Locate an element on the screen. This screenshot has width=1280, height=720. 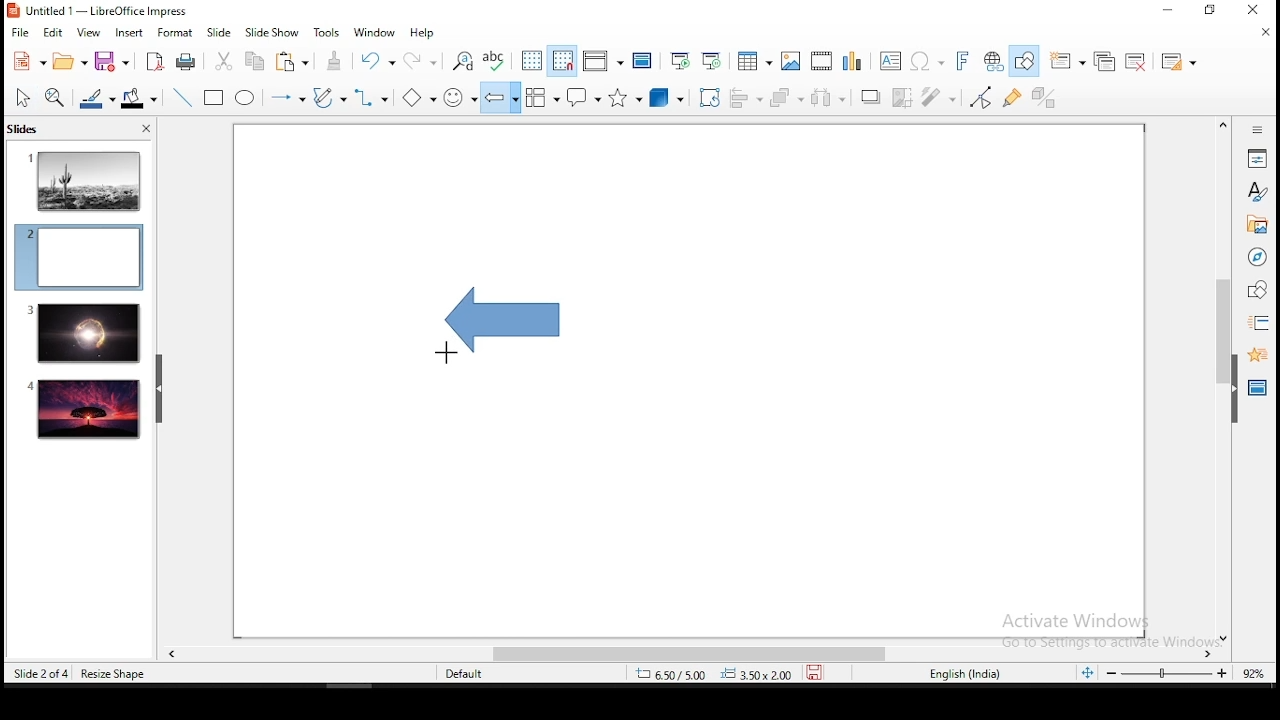
0.00x0.00 is located at coordinates (757, 674).